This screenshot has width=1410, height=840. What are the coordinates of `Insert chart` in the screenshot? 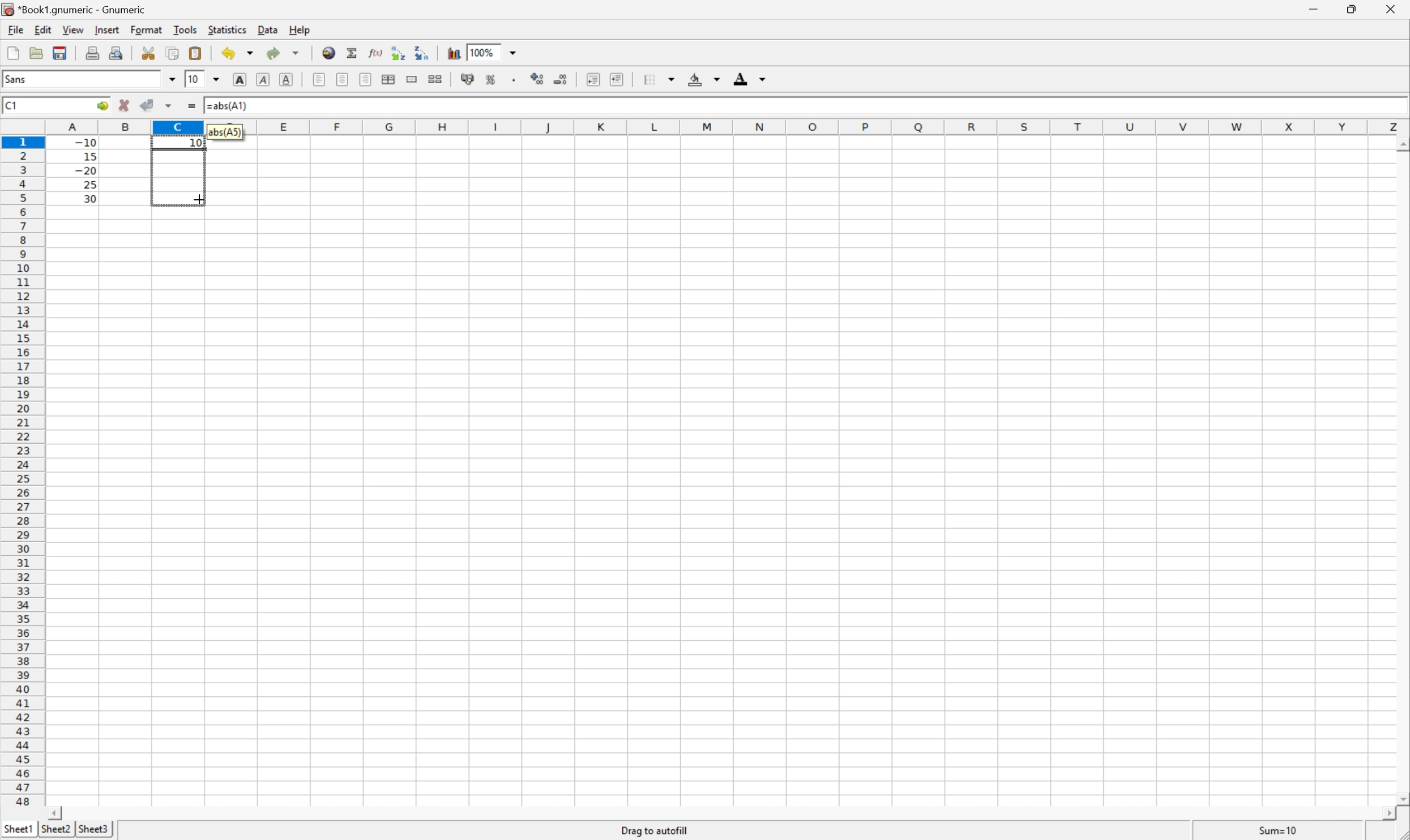 It's located at (454, 52).